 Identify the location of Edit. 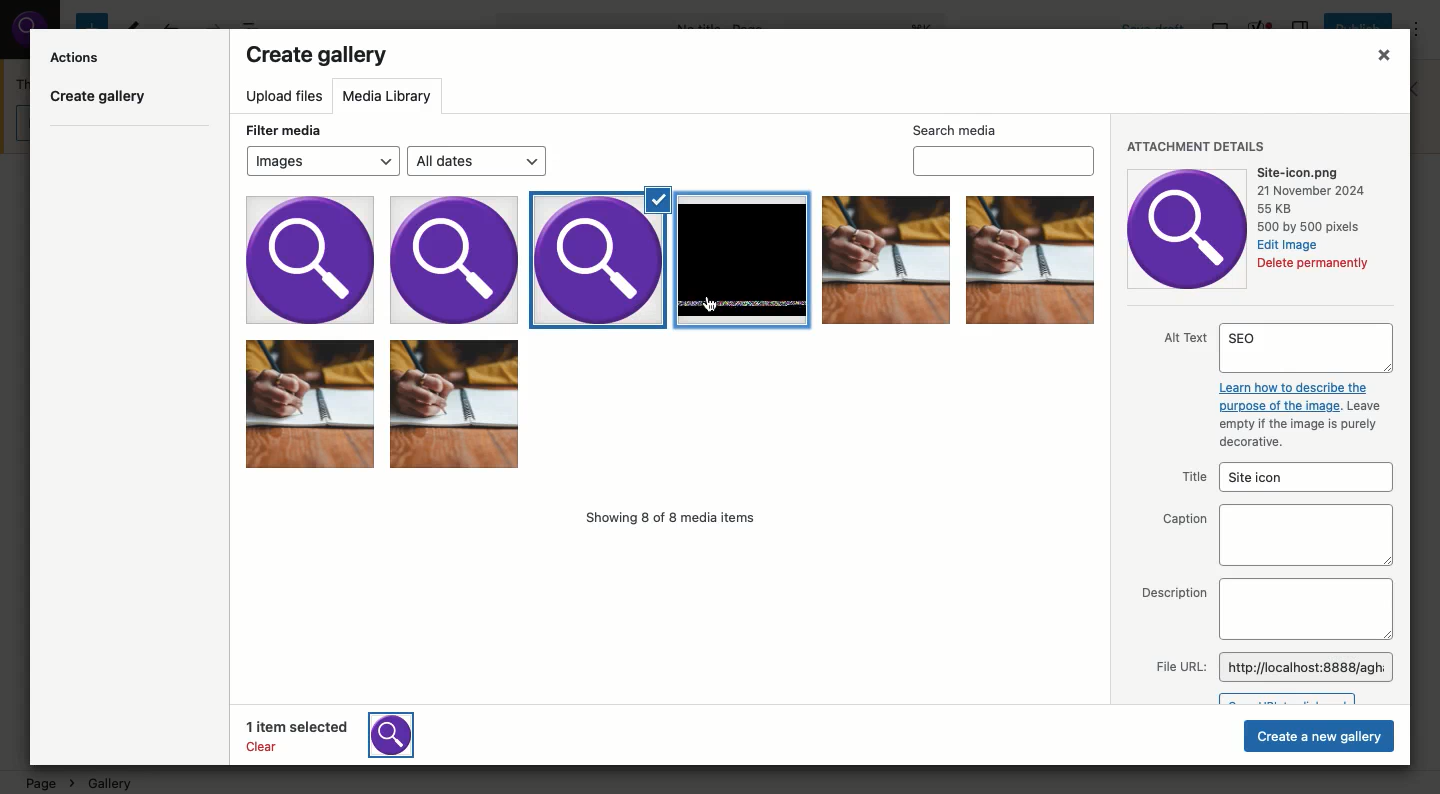
(1288, 244).